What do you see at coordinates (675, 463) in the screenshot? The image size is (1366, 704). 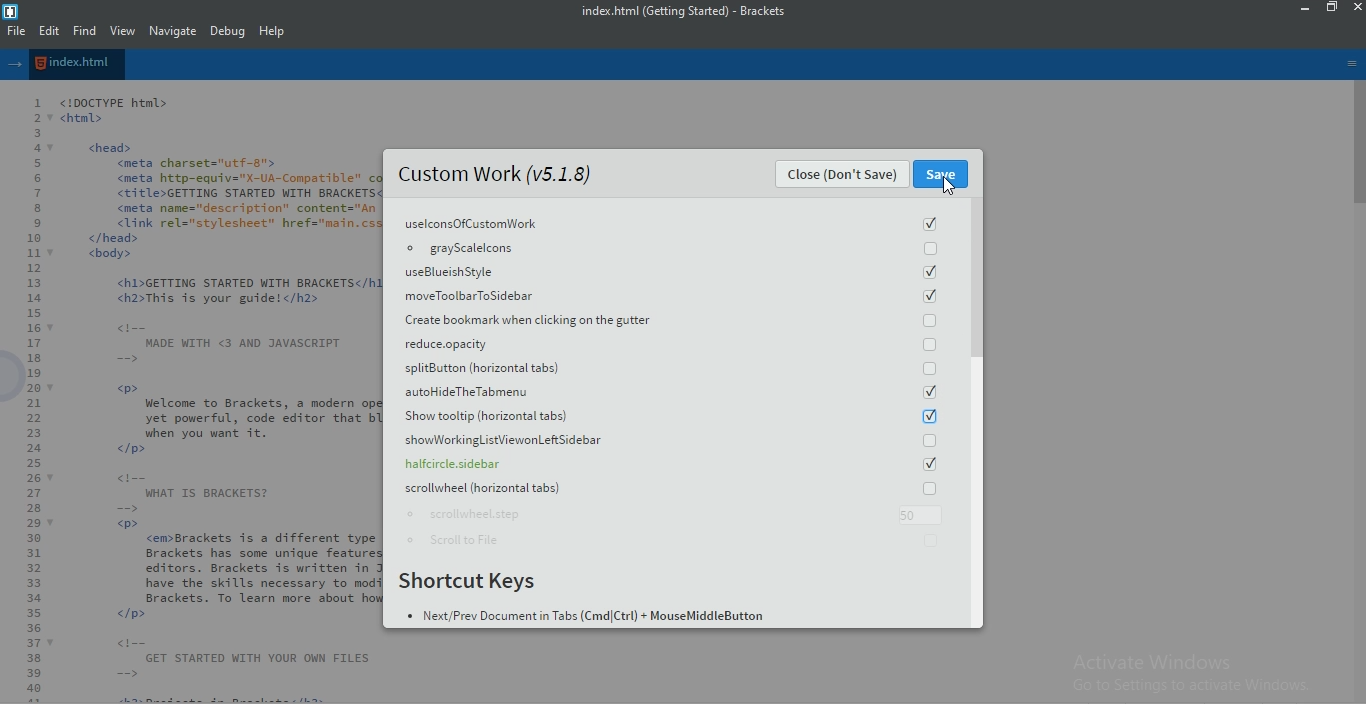 I see `halfcircle.sidebar` at bounding box center [675, 463].